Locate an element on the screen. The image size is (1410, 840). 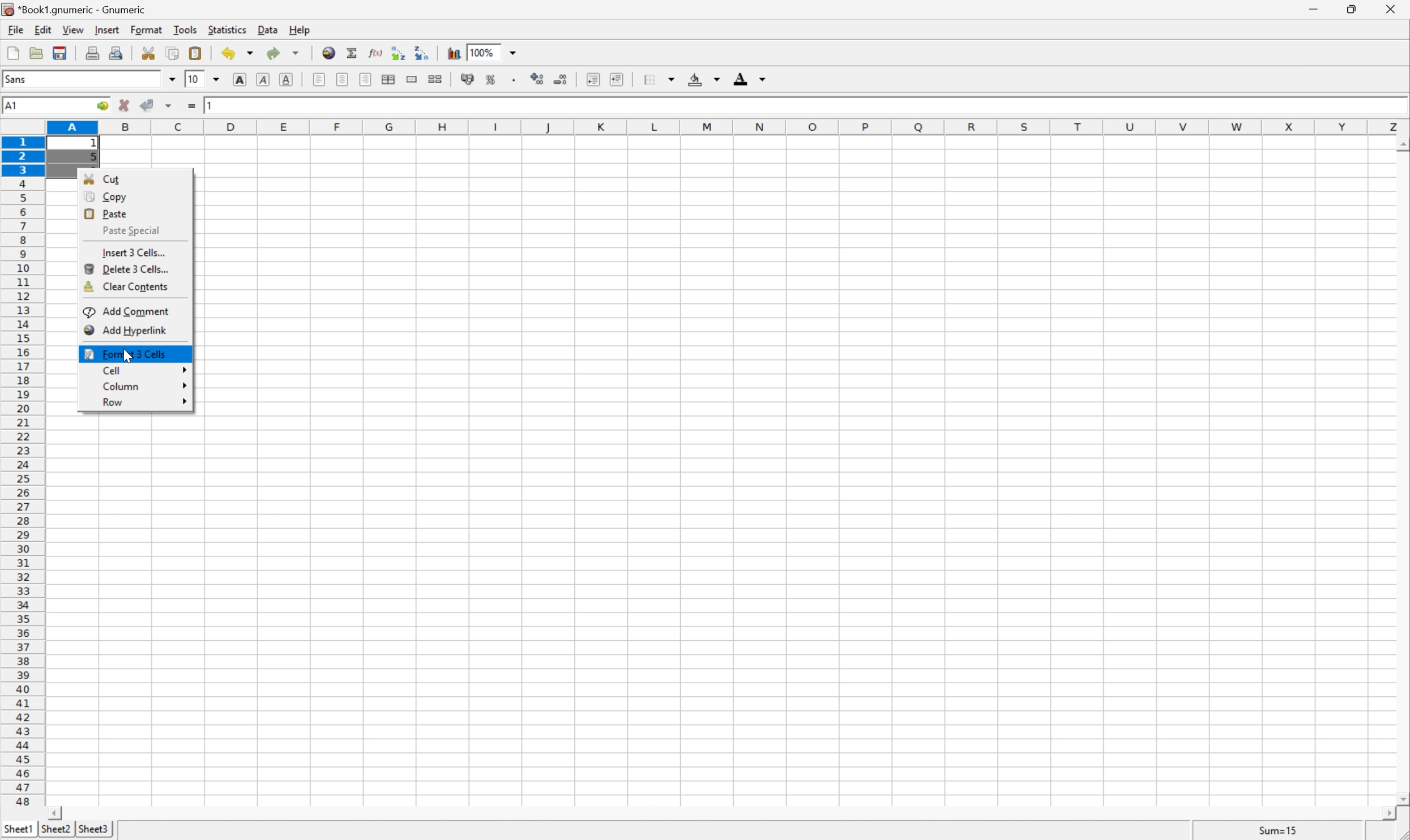
view is located at coordinates (74, 29).